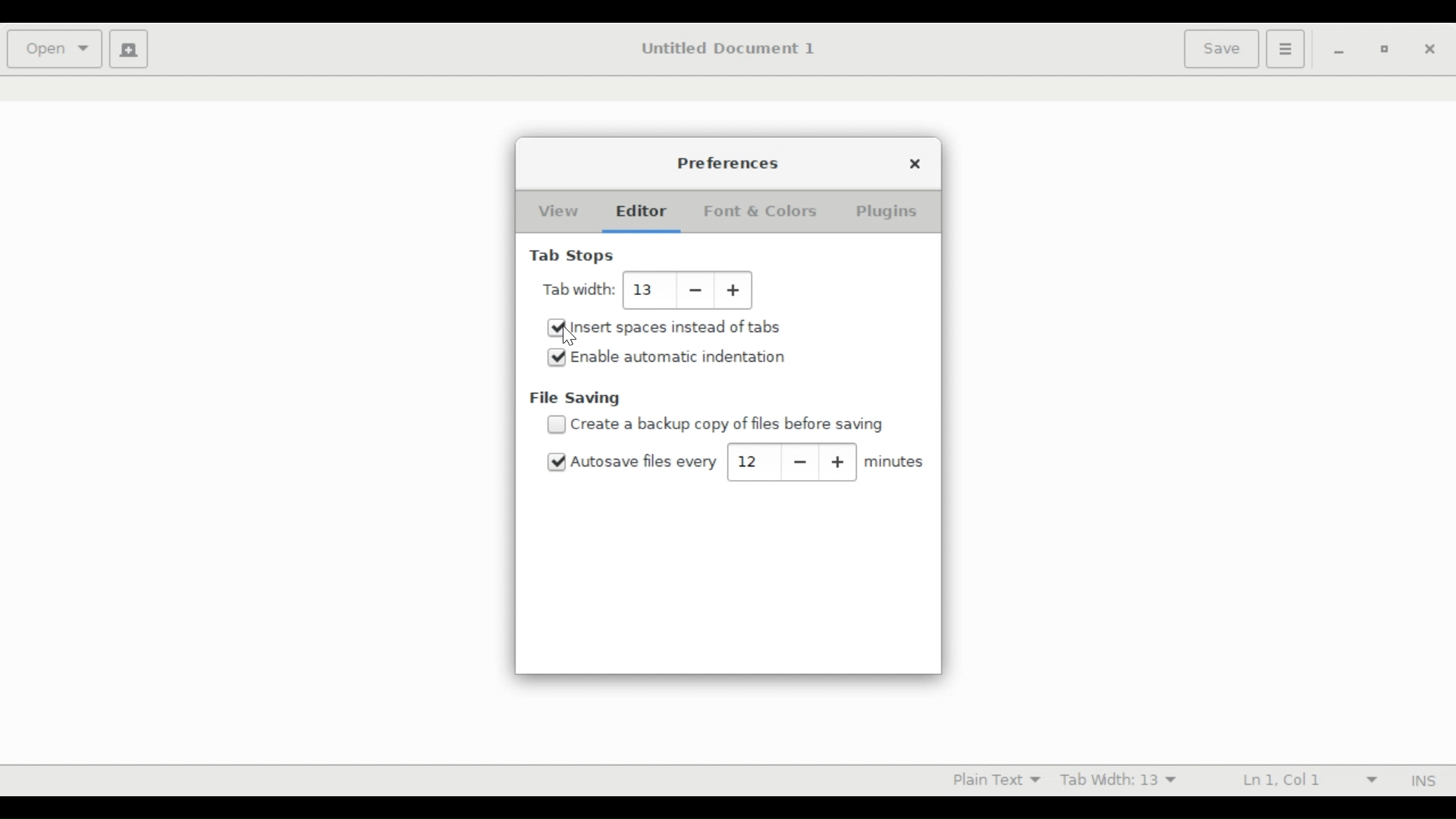  I want to click on (un)check Autosave files every, so click(645, 462).